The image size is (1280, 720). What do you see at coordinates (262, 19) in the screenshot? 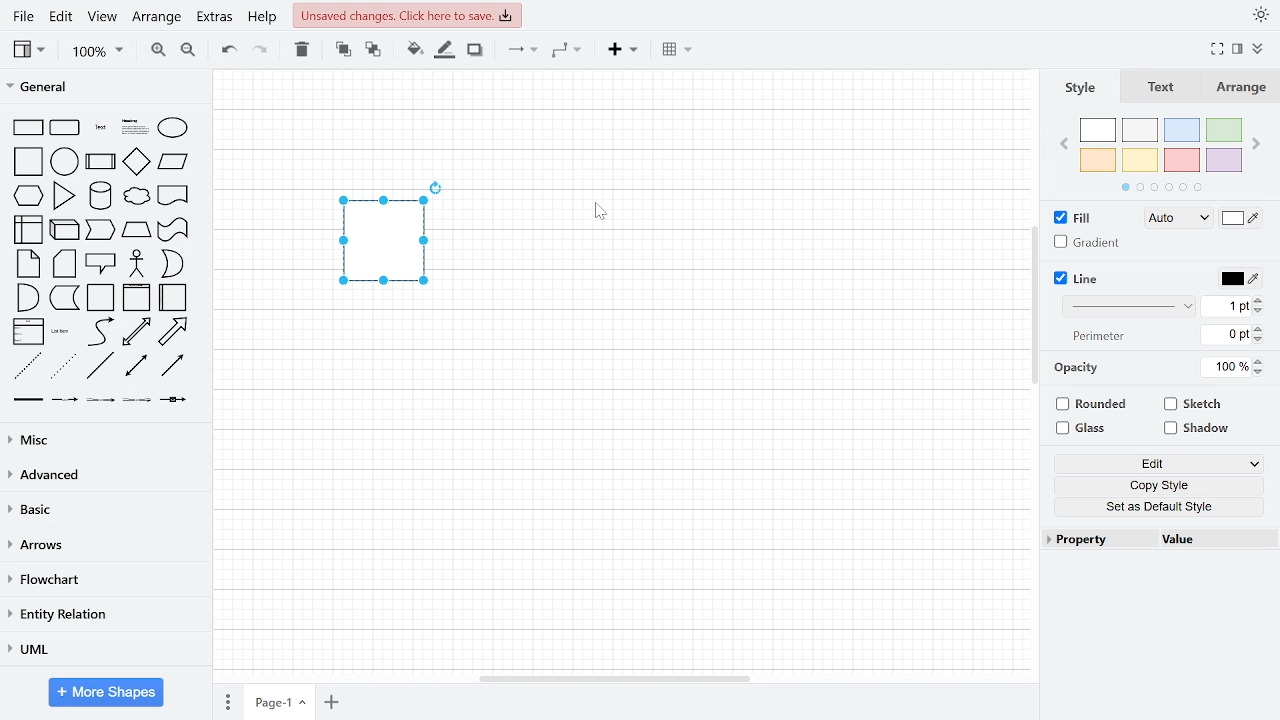
I see `help` at bounding box center [262, 19].